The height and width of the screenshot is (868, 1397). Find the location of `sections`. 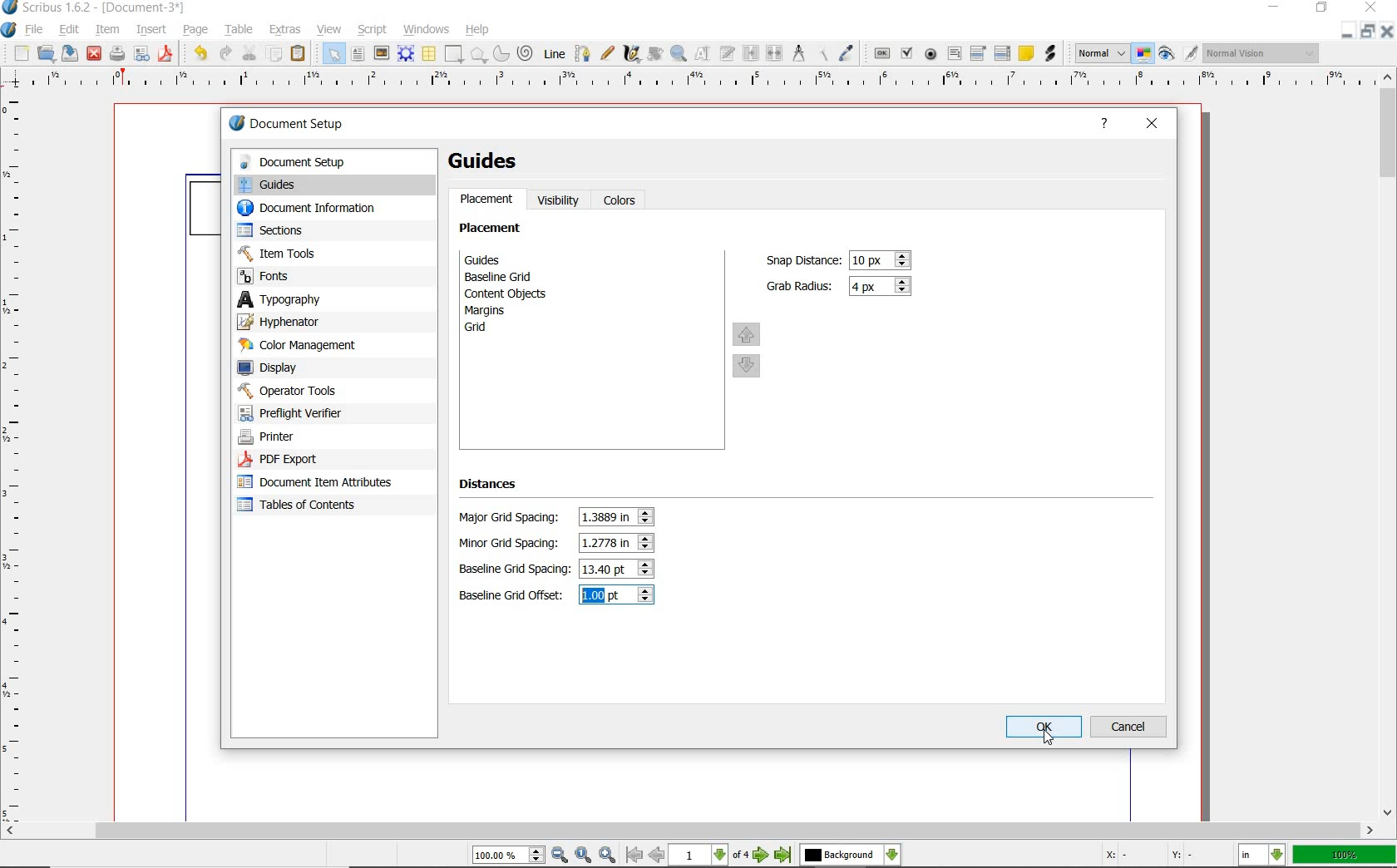

sections is located at coordinates (322, 232).